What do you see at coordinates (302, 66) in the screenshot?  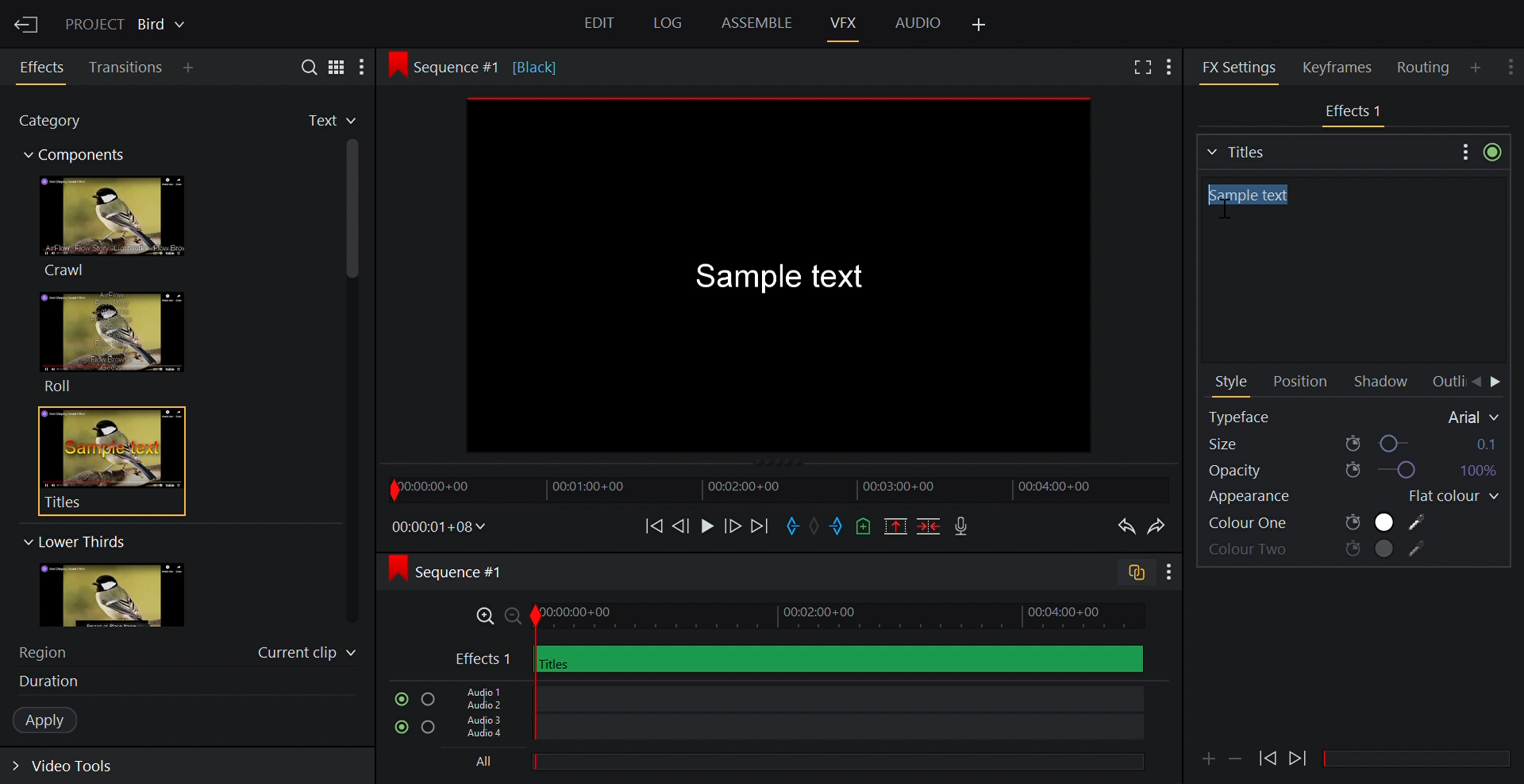 I see `Search` at bounding box center [302, 66].